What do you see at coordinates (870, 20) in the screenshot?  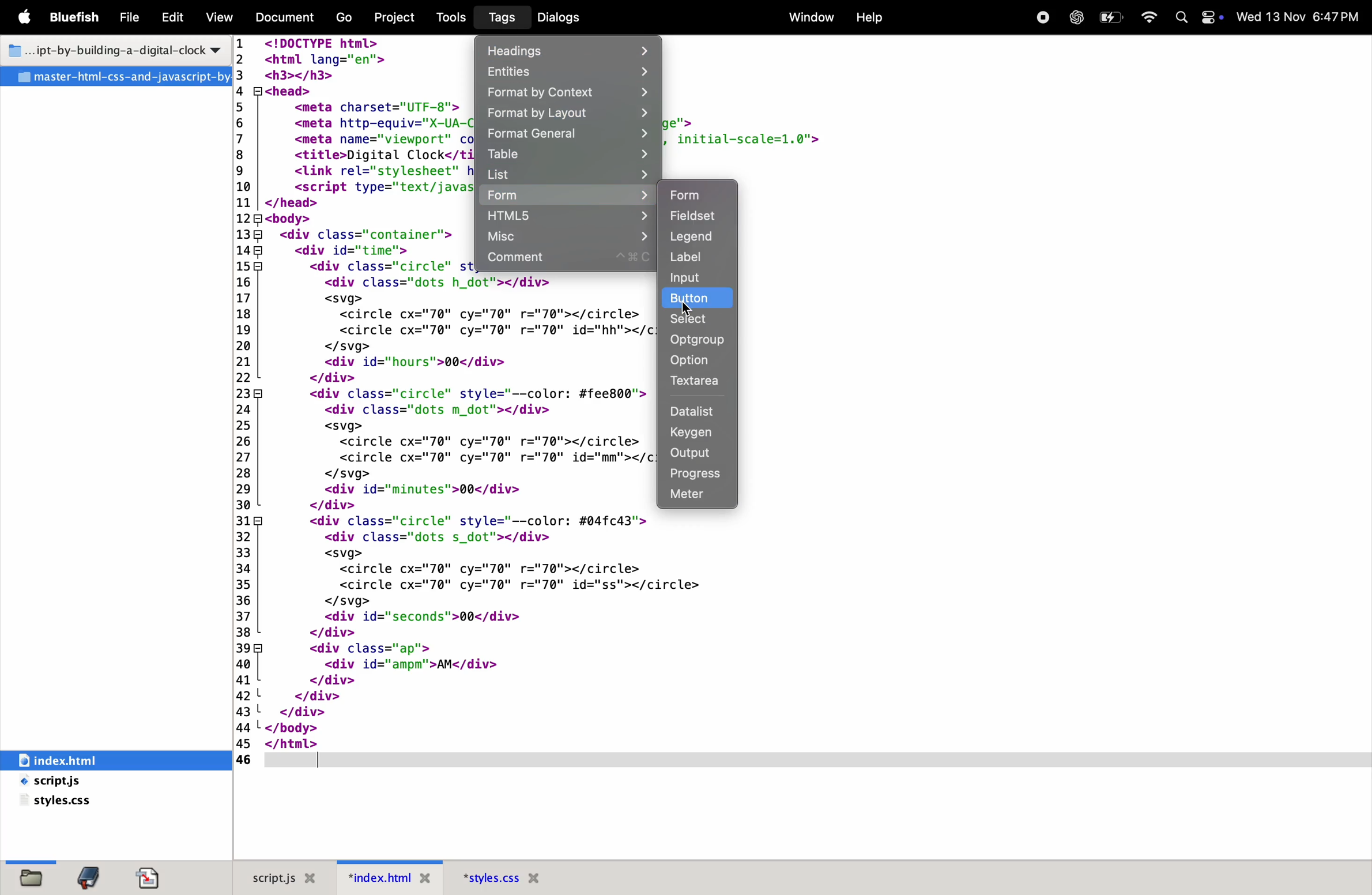 I see `help` at bounding box center [870, 20].